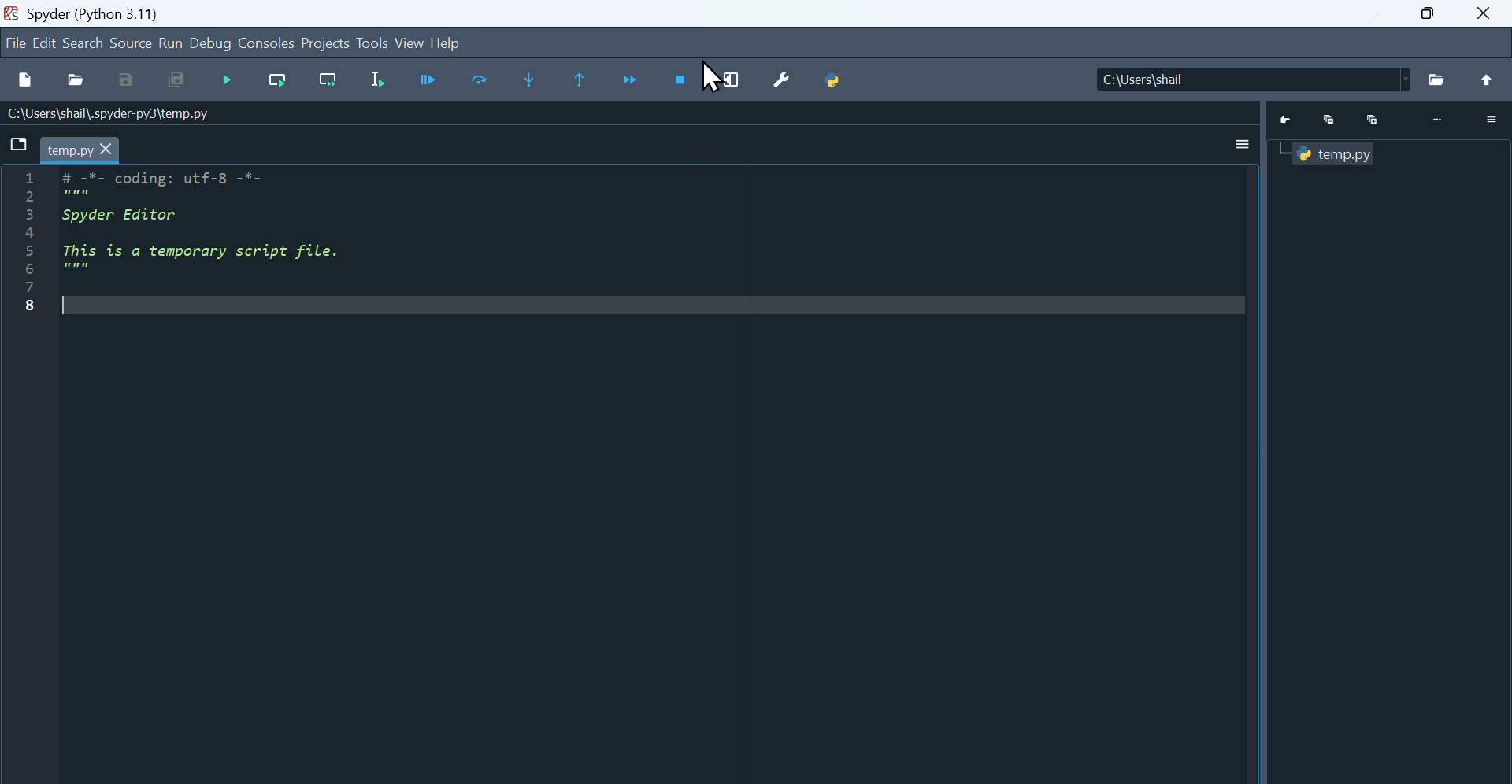  I want to click on Run cell, so click(432, 81).